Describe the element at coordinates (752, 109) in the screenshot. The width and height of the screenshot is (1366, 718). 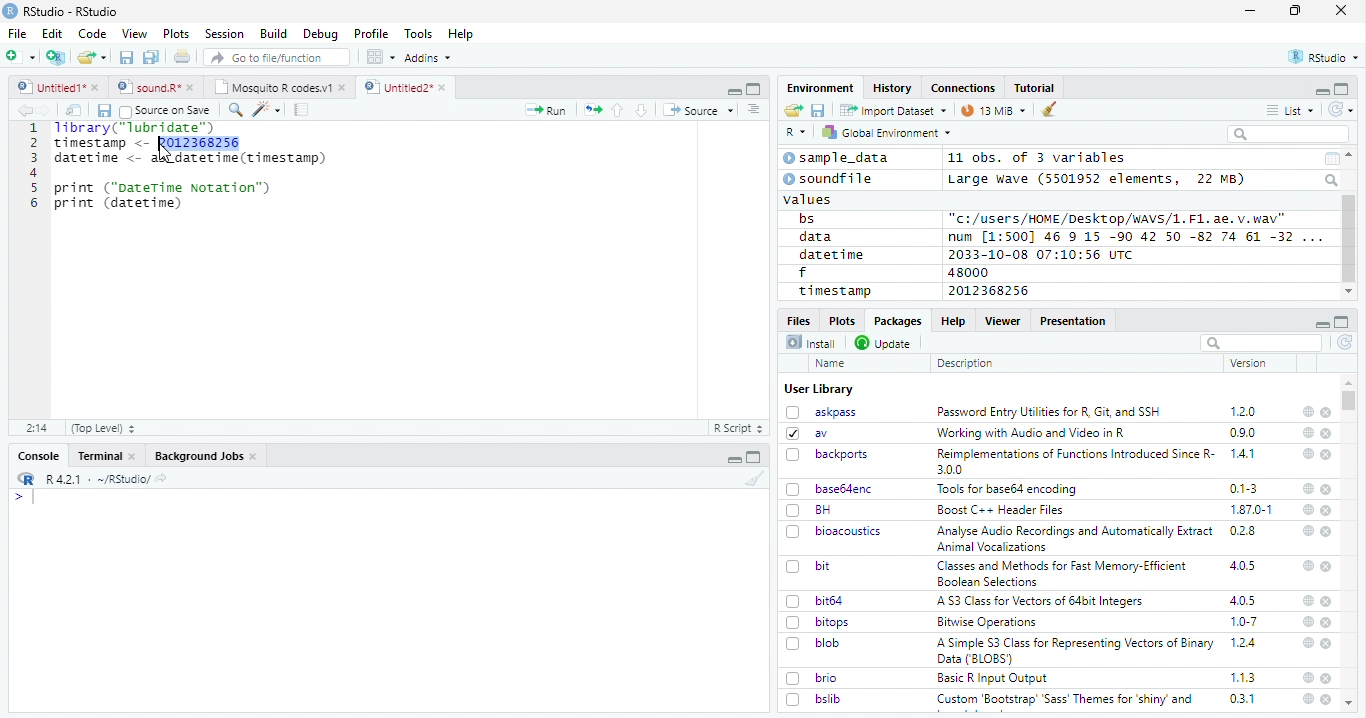
I see `Show document outline` at that location.